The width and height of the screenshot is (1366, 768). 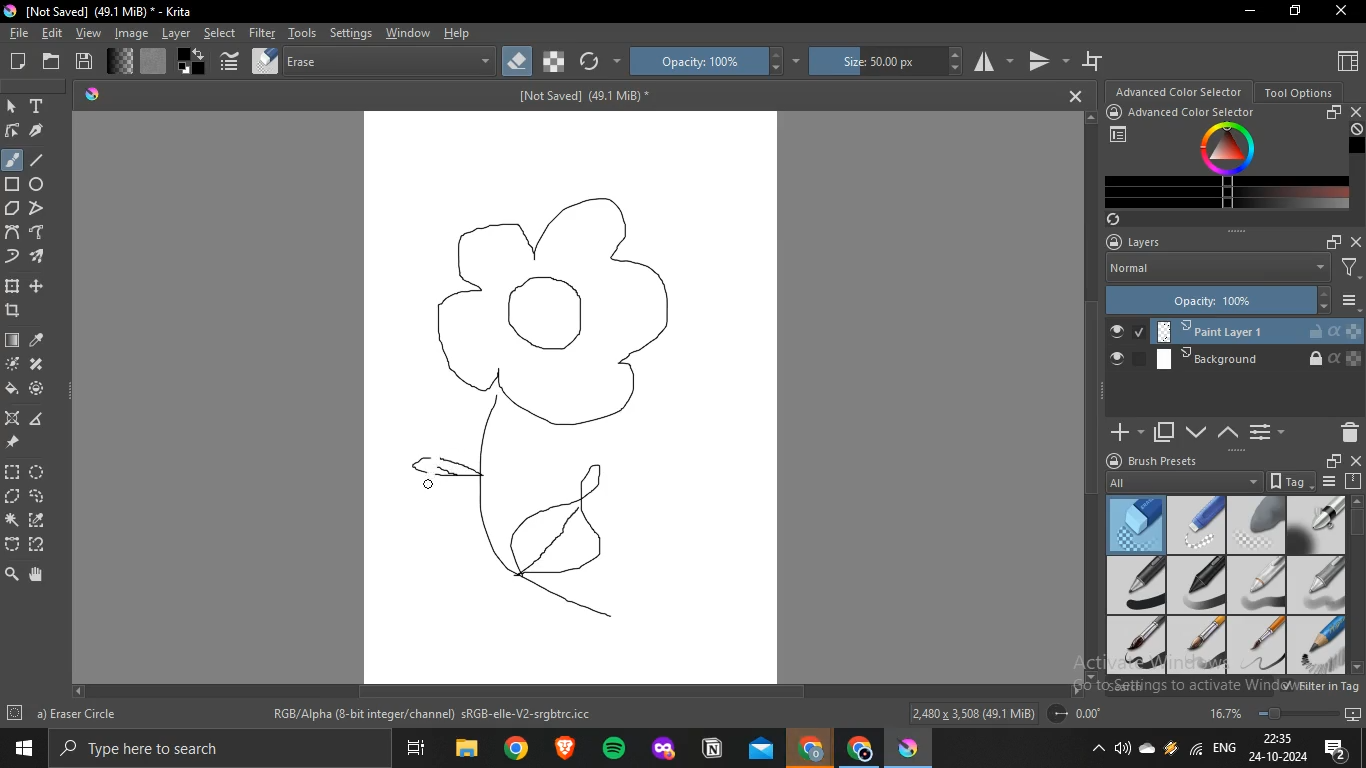 What do you see at coordinates (1075, 690) in the screenshot?
I see `Right` at bounding box center [1075, 690].